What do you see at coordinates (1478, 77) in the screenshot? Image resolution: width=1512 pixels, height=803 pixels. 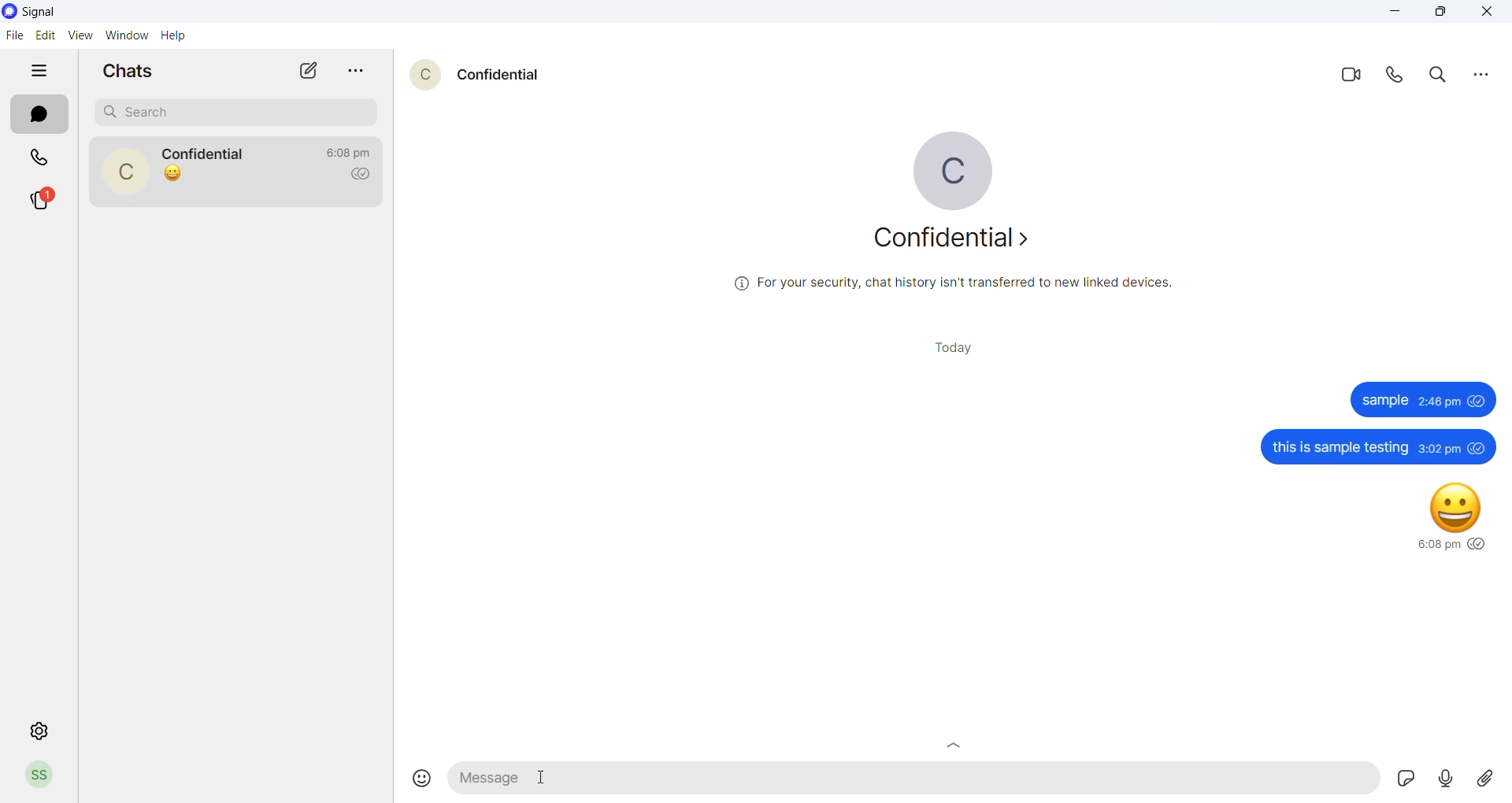 I see `more options` at bounding box center [1478, 77].